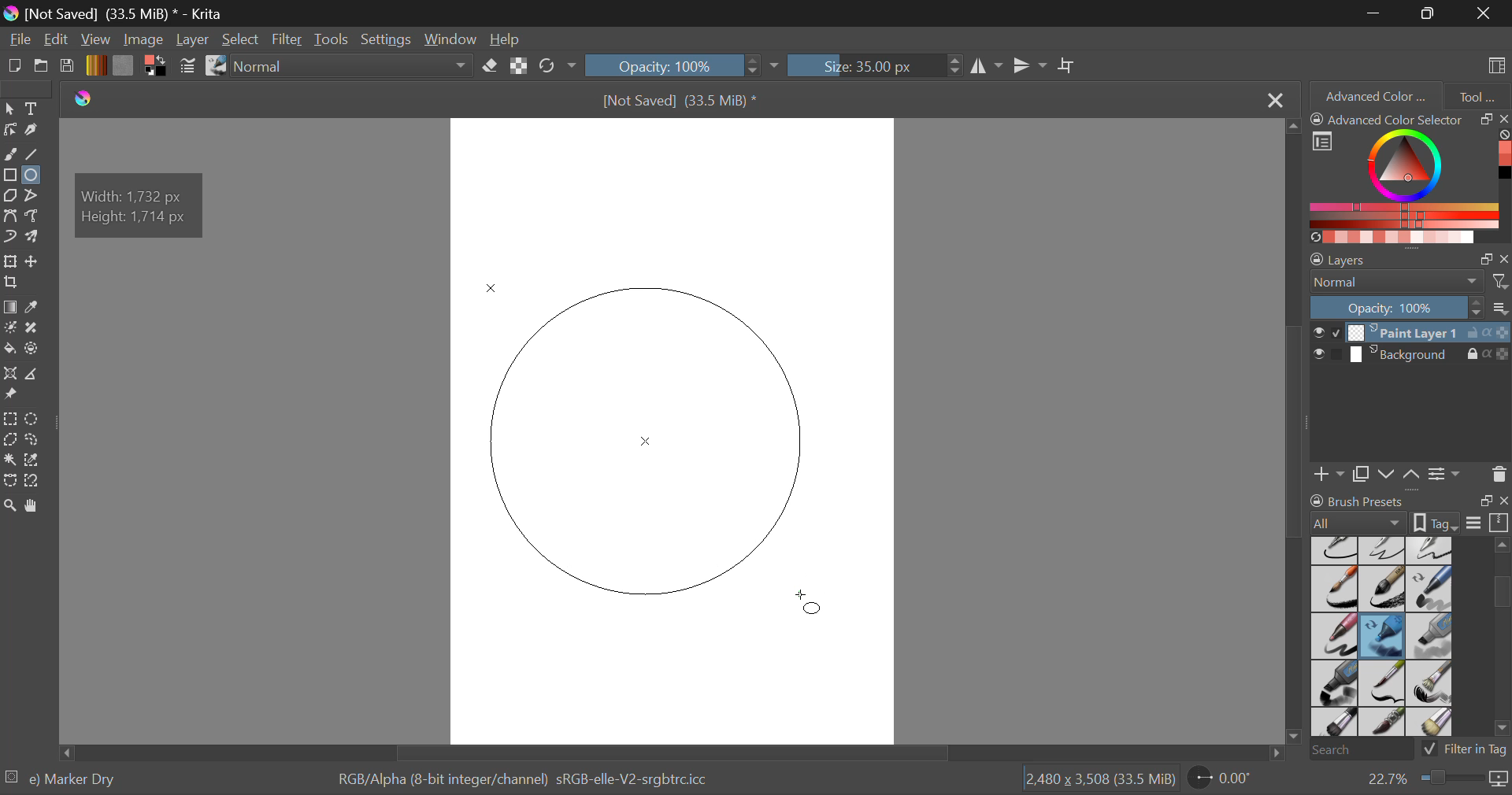 The image size is (1512, 795). What do you see at coordinates (1364, 471) in the screenshot?
I see `Copy` at bounding box center [1364, 471].